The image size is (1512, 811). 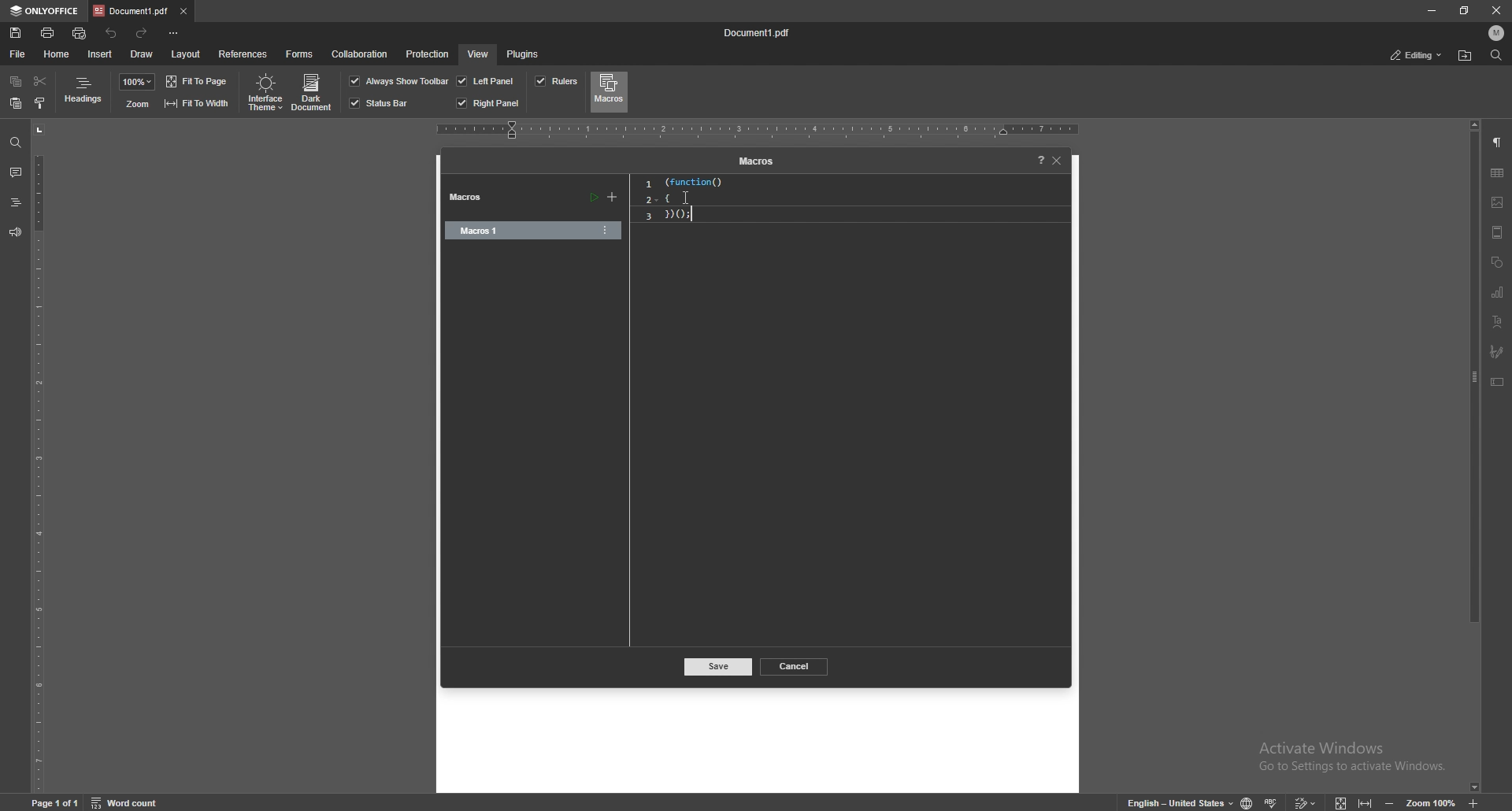 I want to click on fit to width, so click(x=1365, y=802).